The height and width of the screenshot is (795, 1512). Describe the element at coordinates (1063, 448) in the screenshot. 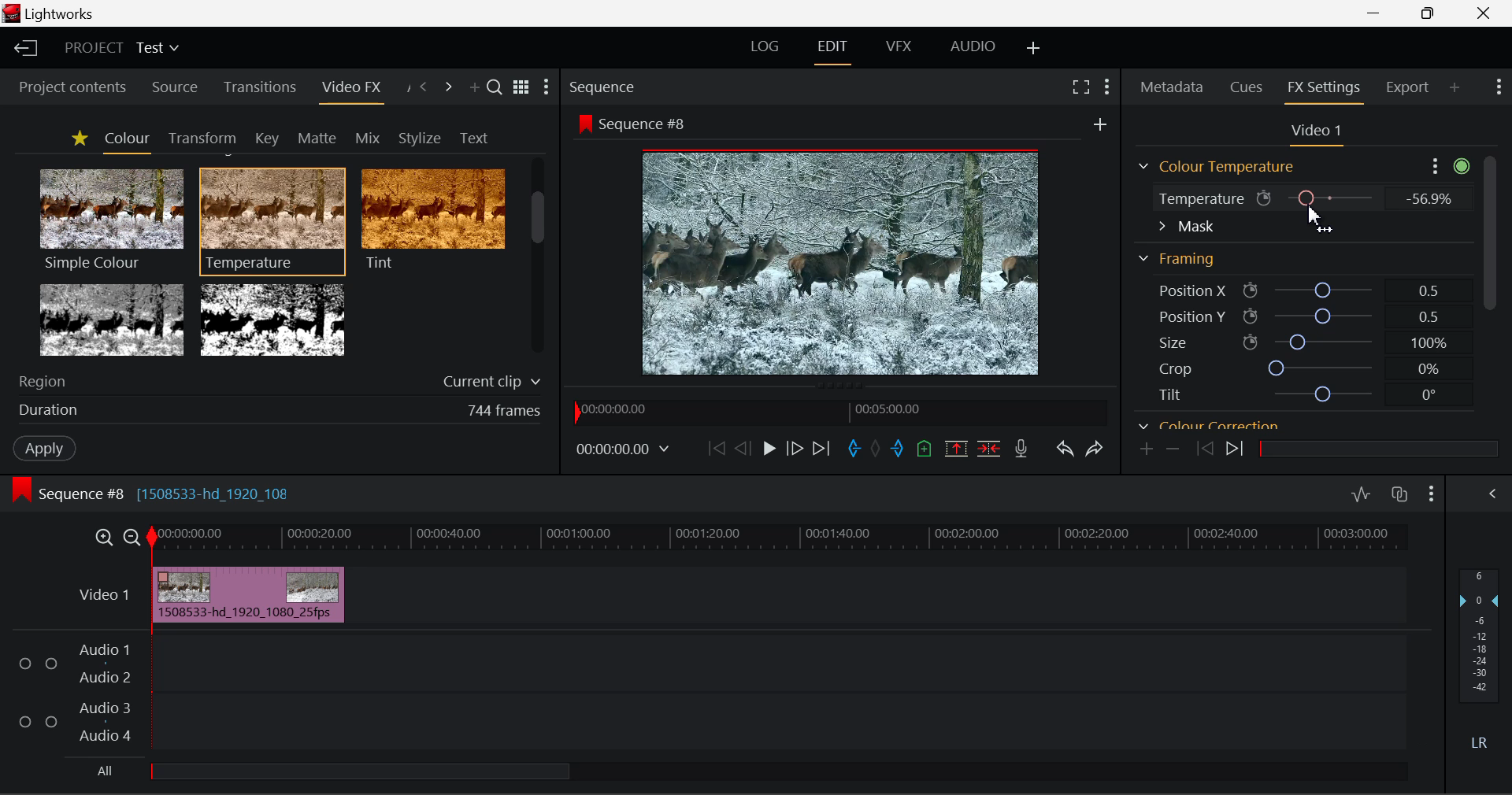

I see `Undo` at that location.